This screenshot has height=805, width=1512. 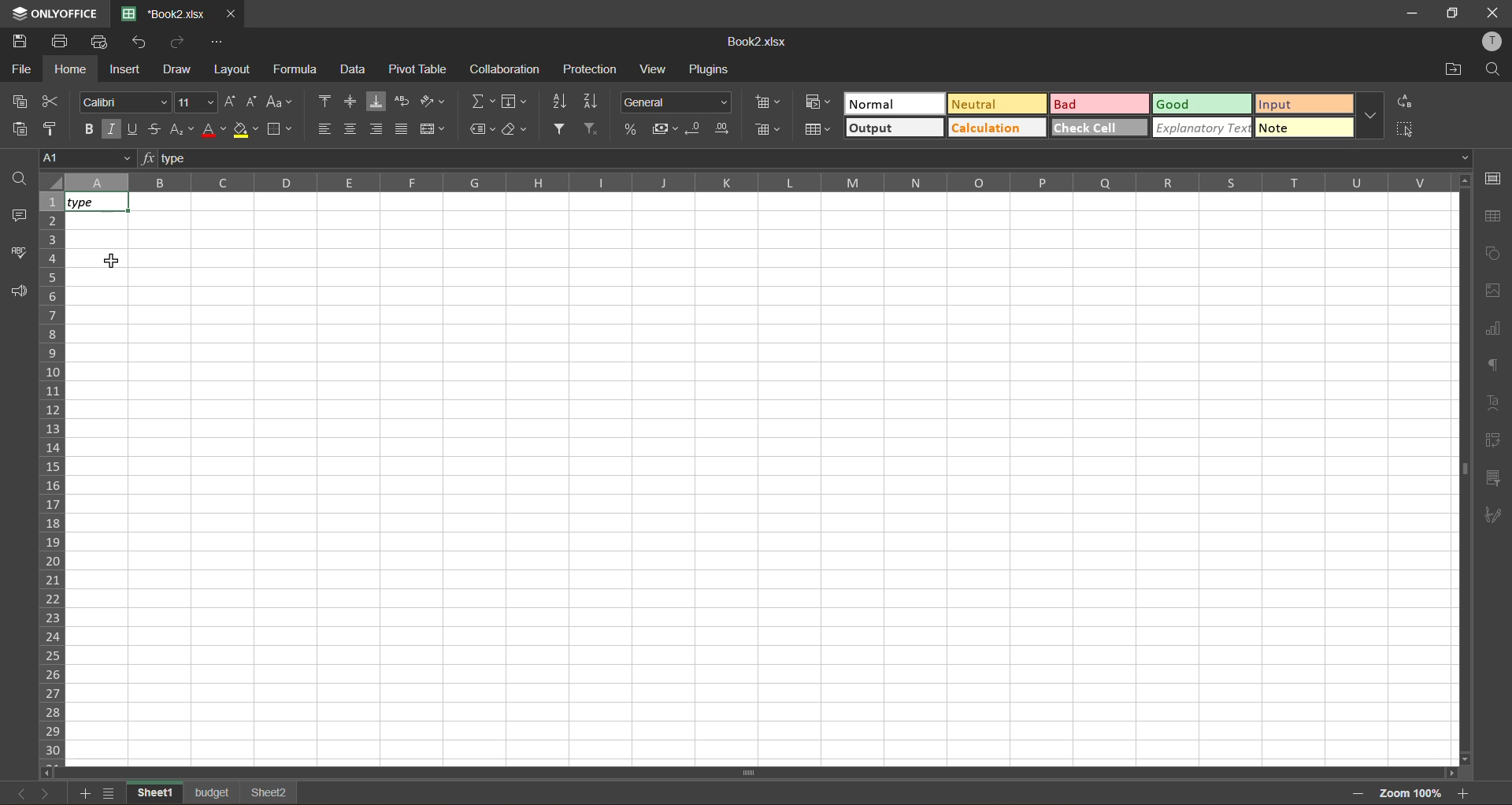 What do you see at coordinates (18, 293) in the screenshot?
I see `feedback` at bounding box center [18, 293].